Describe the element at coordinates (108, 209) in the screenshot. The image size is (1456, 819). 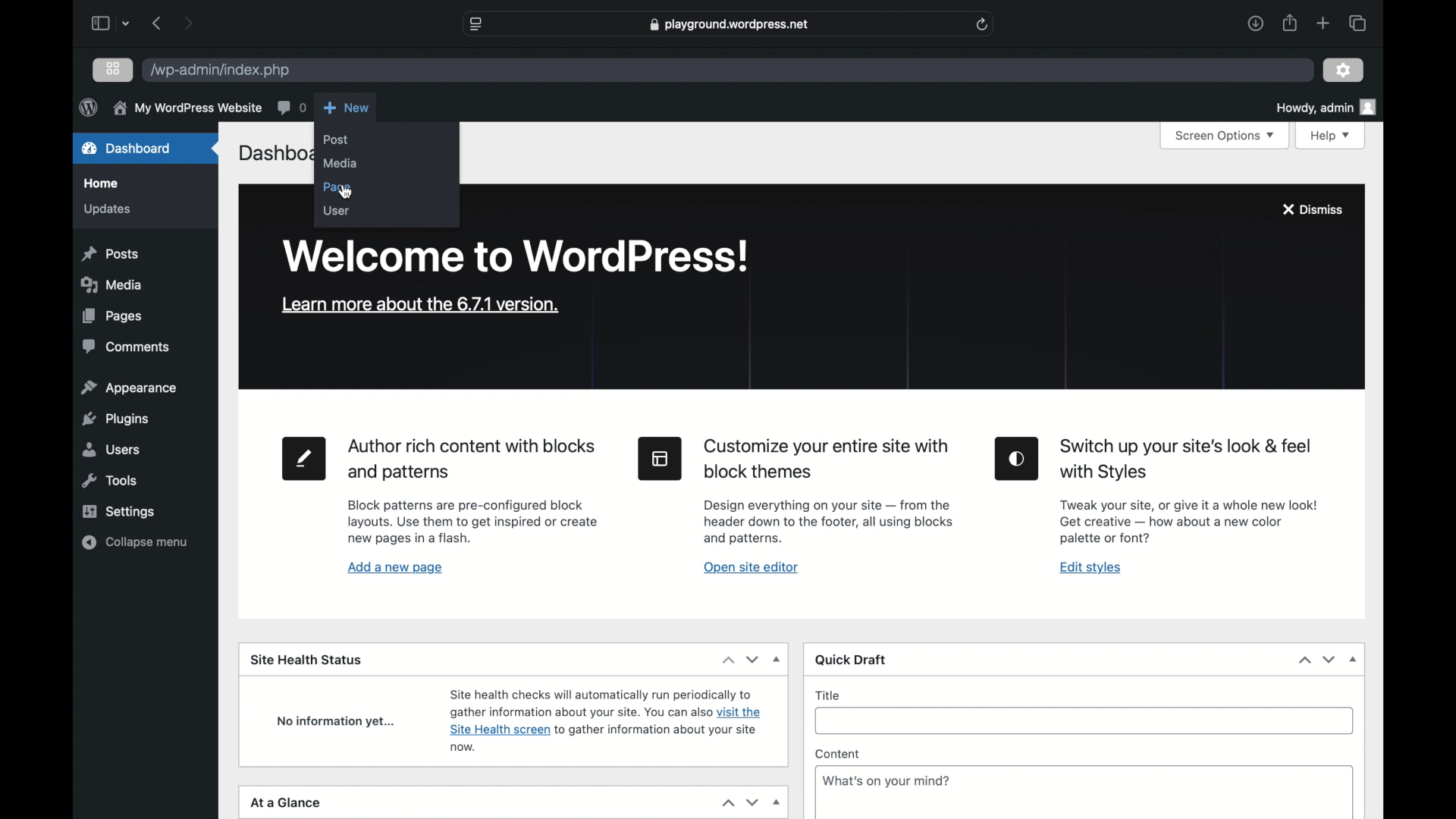
I see `updates` at that location.